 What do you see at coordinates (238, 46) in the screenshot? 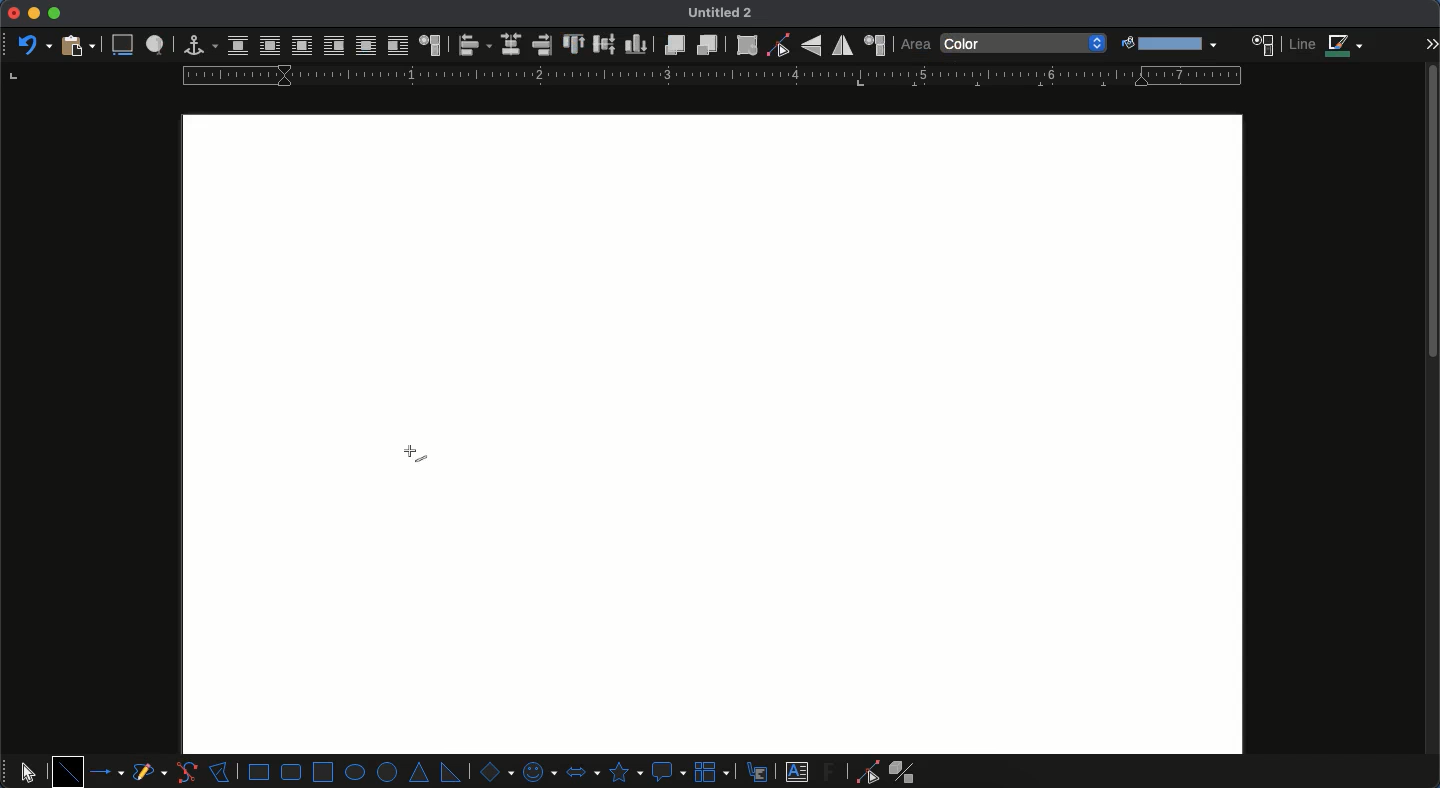
I see `none` at bounding box center [238, 46].